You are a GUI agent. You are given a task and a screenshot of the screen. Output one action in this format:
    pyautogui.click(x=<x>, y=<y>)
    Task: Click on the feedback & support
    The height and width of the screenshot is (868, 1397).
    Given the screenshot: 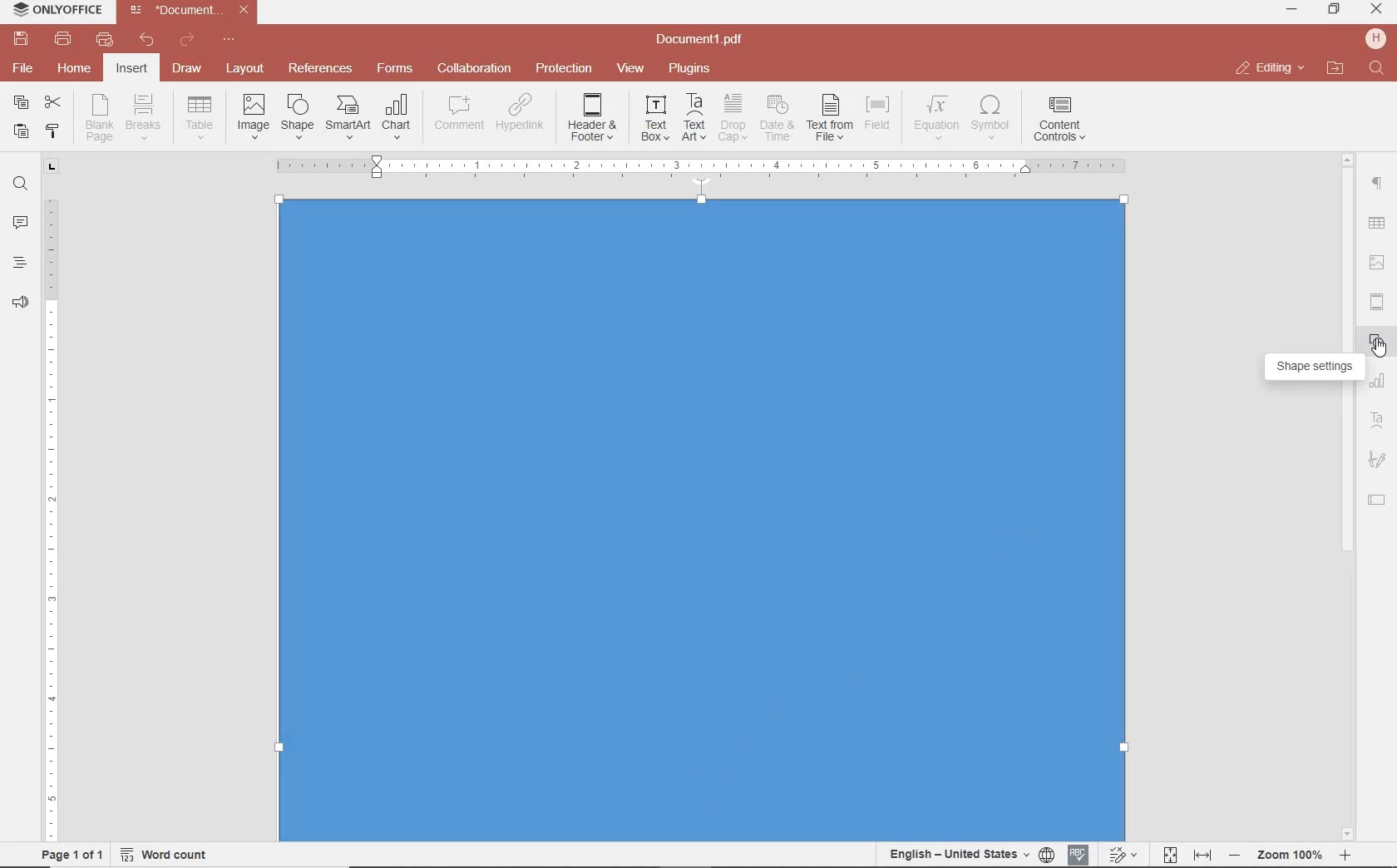 What is the action you would take?
    pyautogui.click(x=21, y=303)
    